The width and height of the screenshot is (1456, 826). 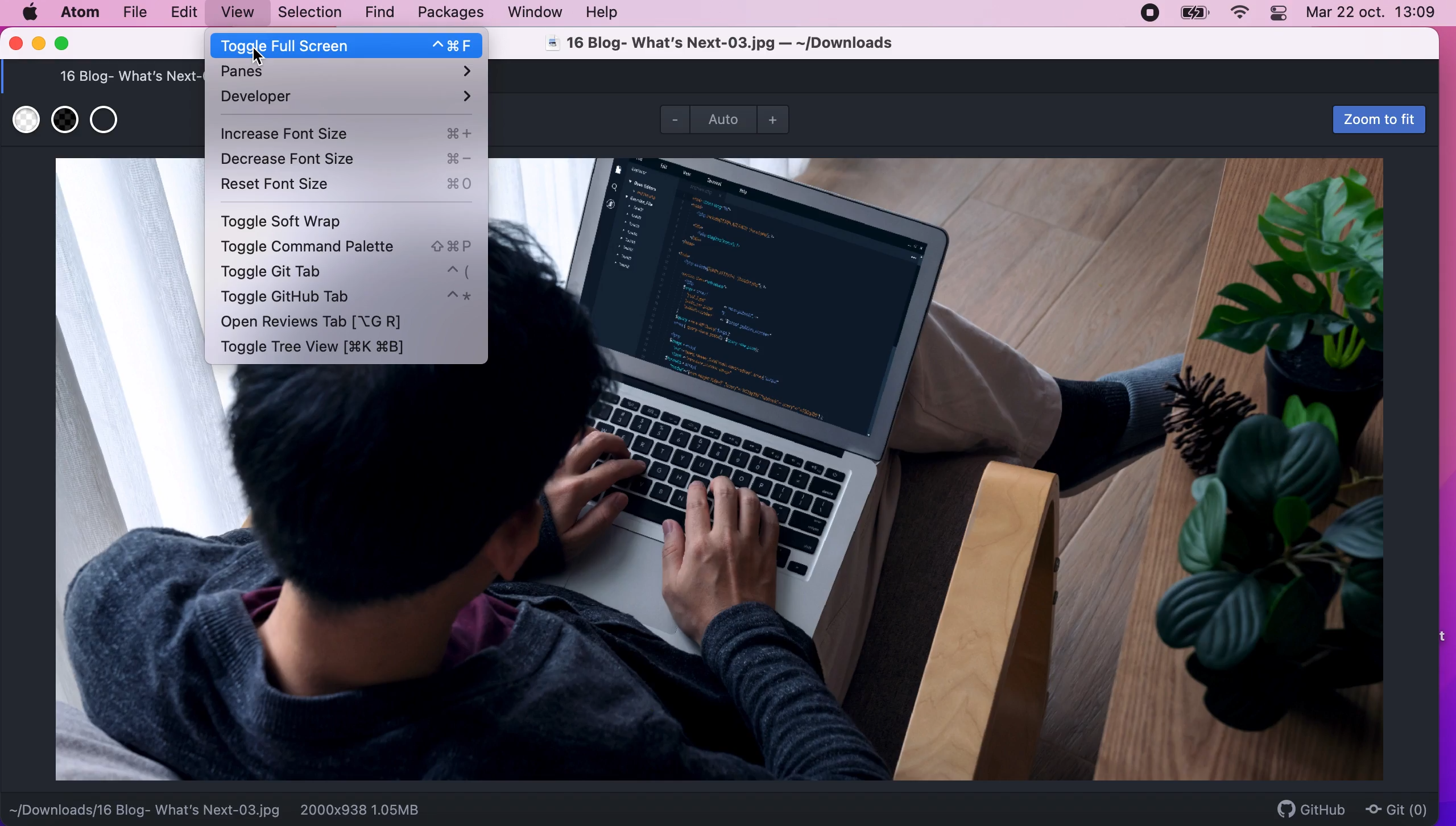 What do you see at coordinates (361, 809) in the screenshot?
I see `2000x938 1.05MB` at bounding box center [361, 809].